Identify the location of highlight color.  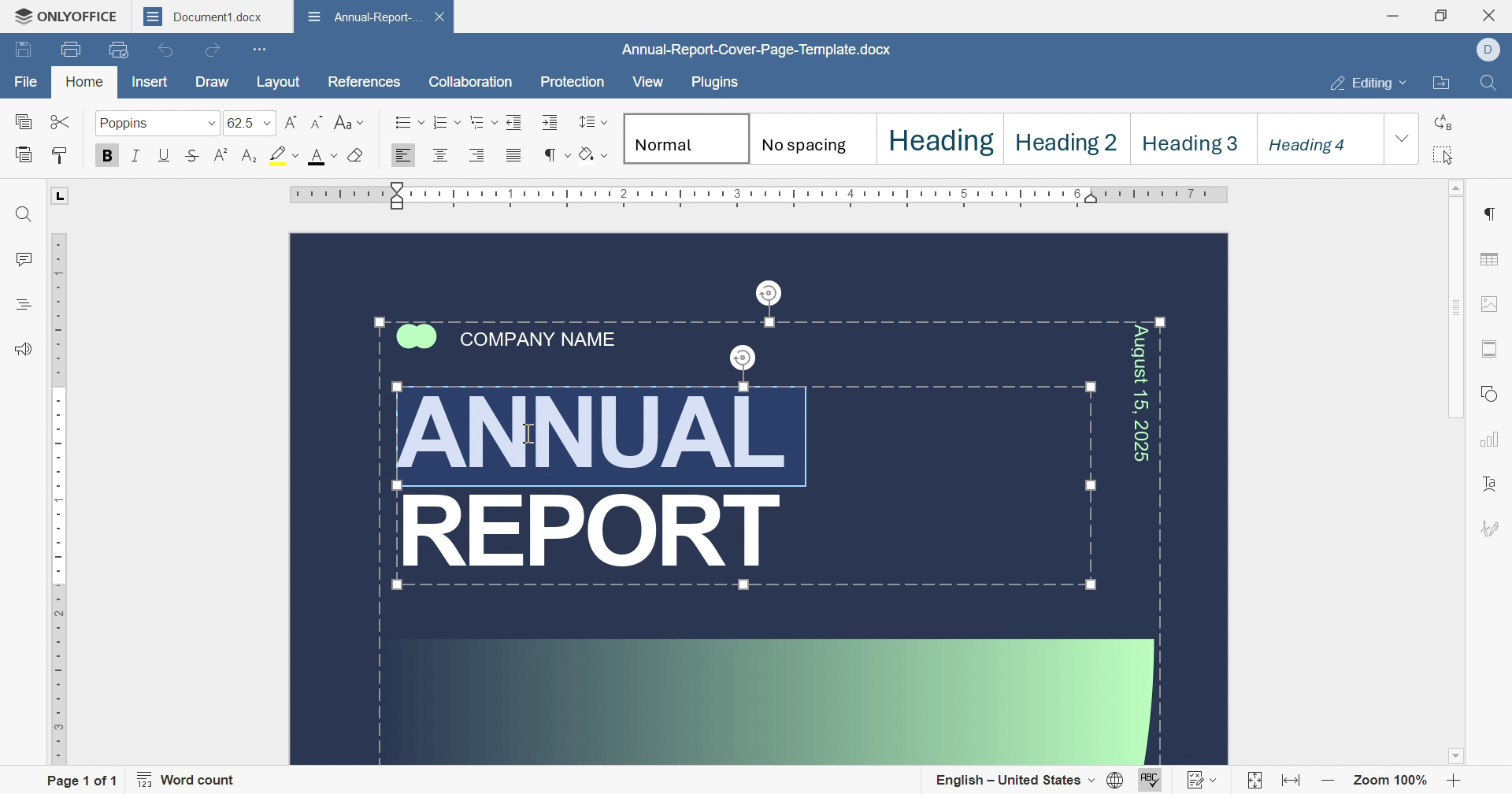
(285, 155).